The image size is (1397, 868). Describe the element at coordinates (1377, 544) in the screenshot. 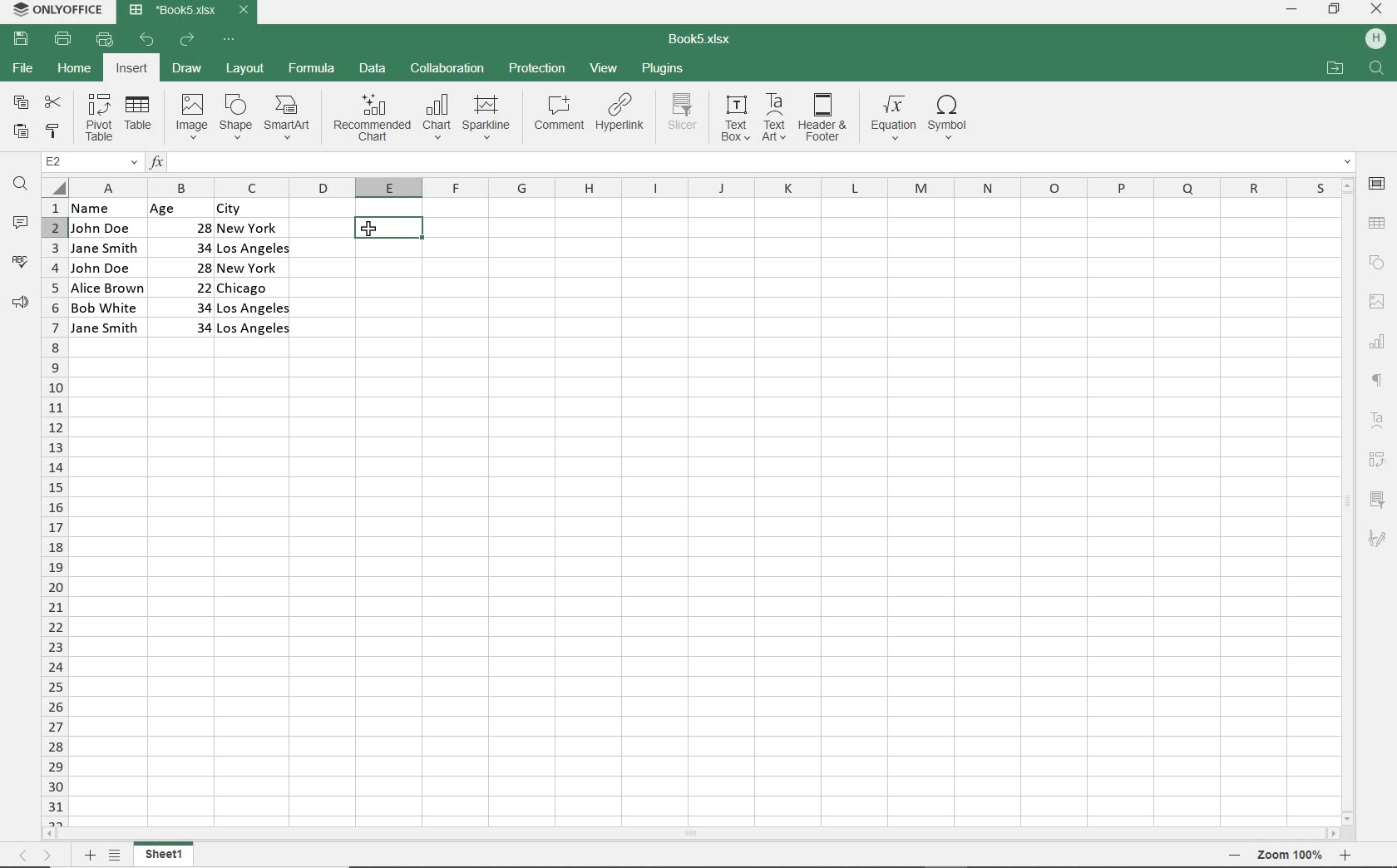

I see `SIGNATURE` at that location.